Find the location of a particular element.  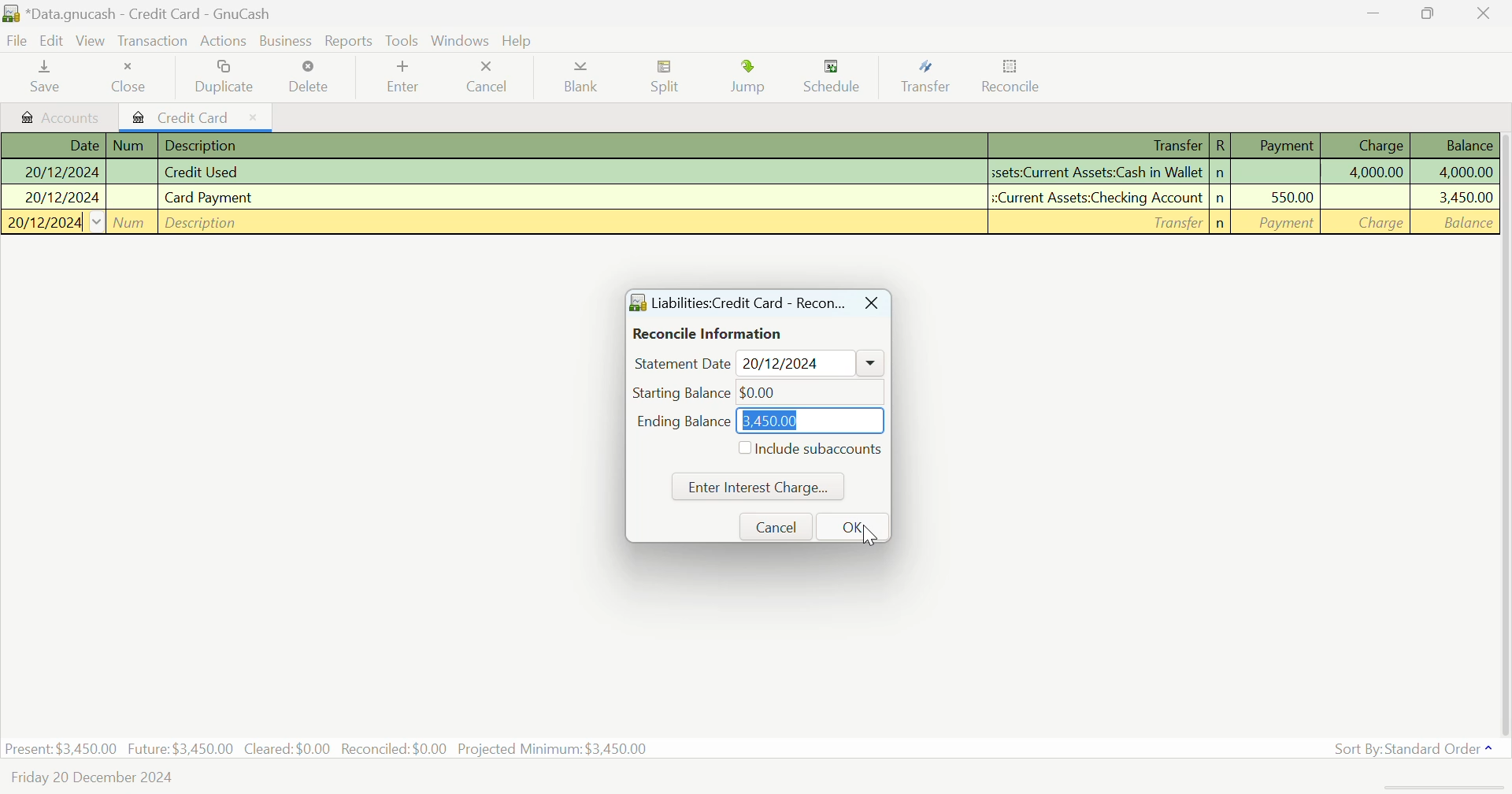

Starting Balance: $0.00 is located at coordinates (756, 394).